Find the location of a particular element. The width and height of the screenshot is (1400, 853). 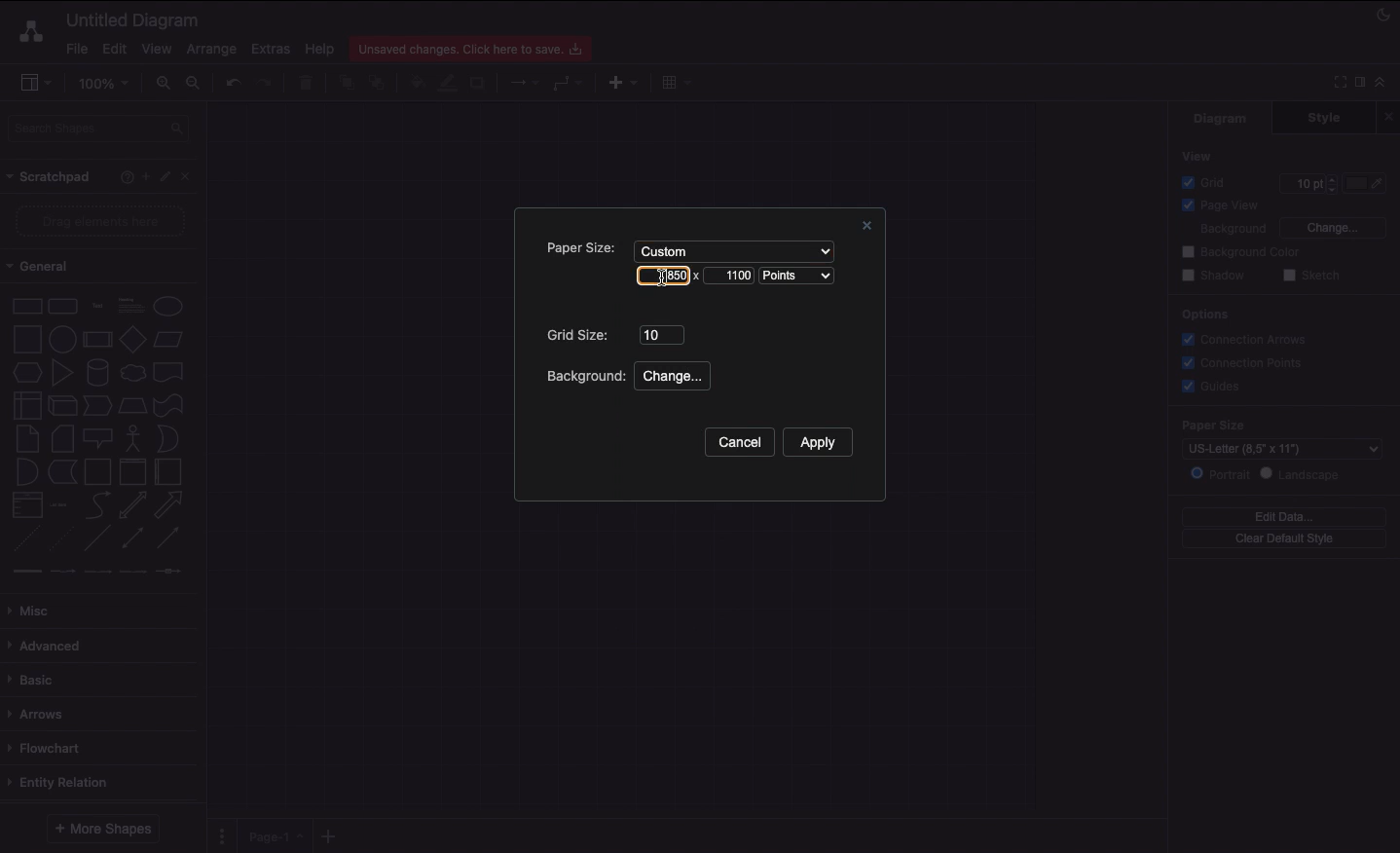

Drag elements here is located at coordinates (103, 221).